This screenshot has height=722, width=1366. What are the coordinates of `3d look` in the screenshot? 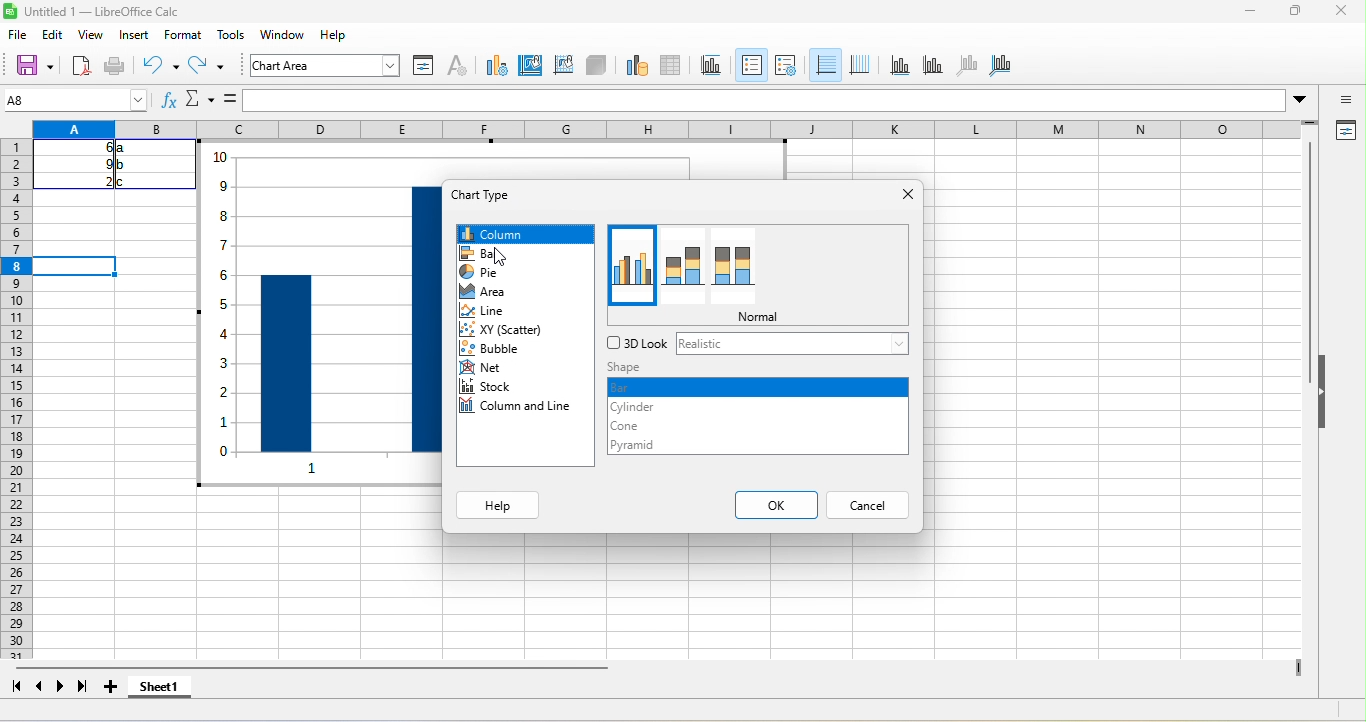 It's located at (637, 345).